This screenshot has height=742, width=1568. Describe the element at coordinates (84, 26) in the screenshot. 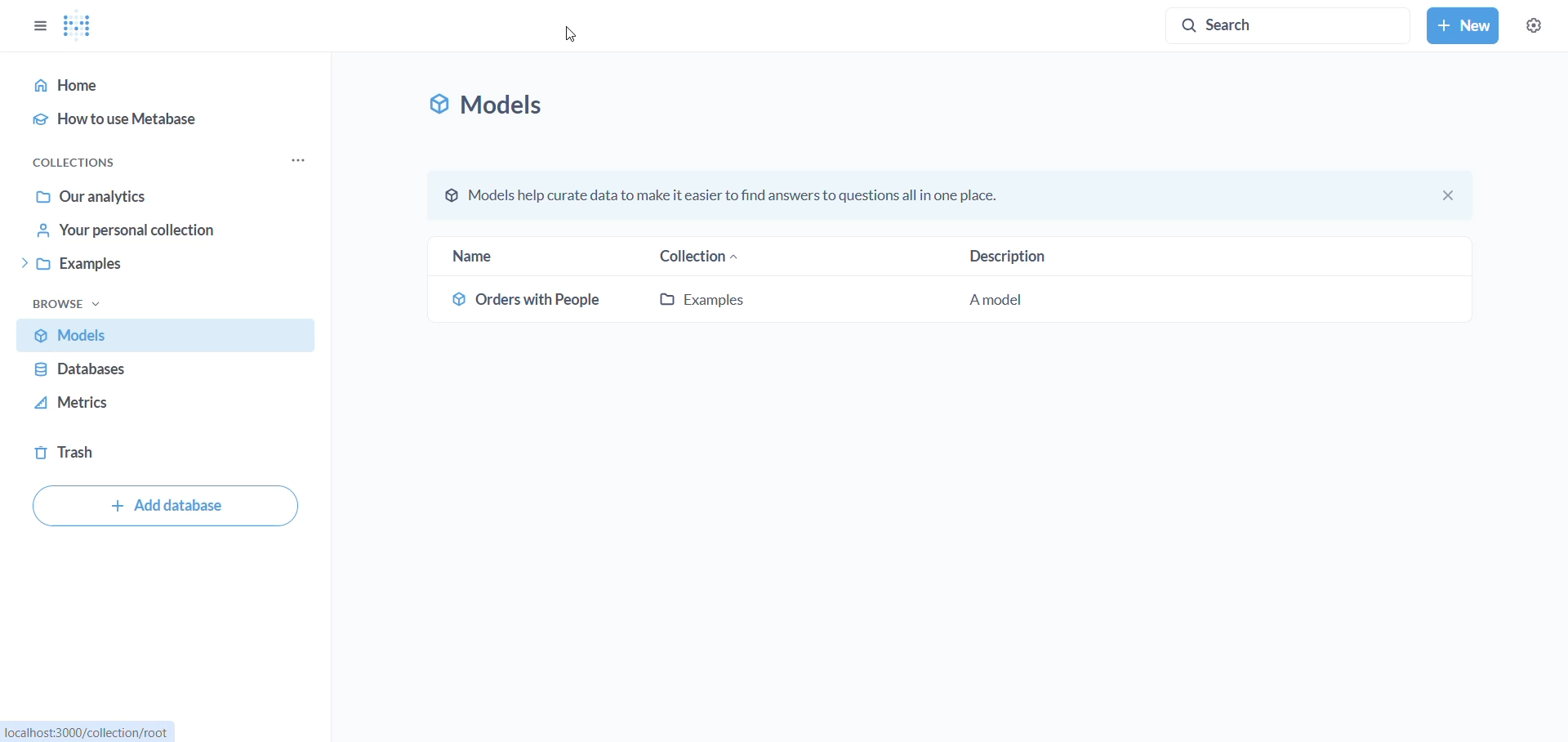

I see `Metabase logo` at that location.